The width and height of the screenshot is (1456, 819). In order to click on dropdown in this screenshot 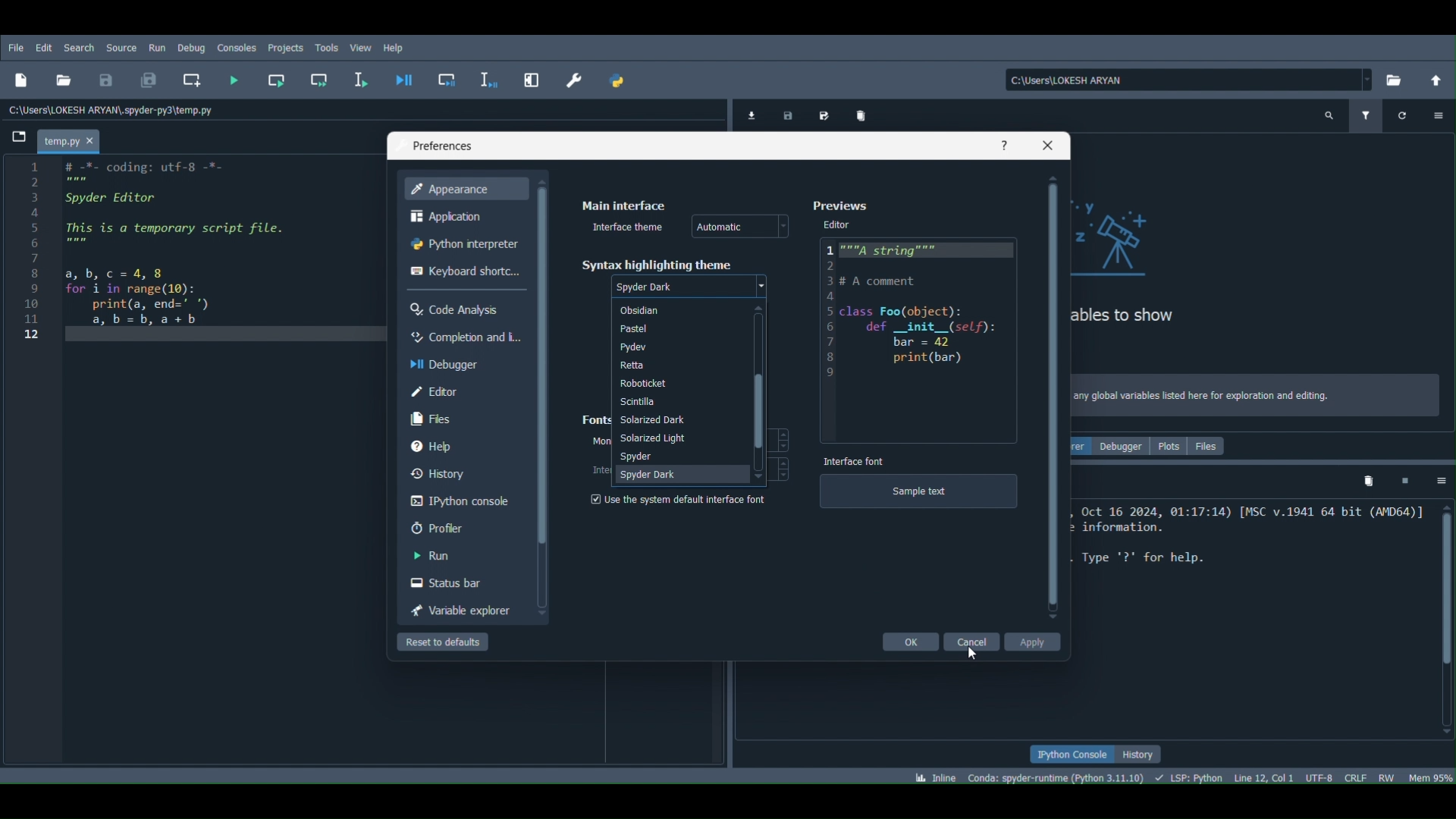, I will do `click(783, 224)`.